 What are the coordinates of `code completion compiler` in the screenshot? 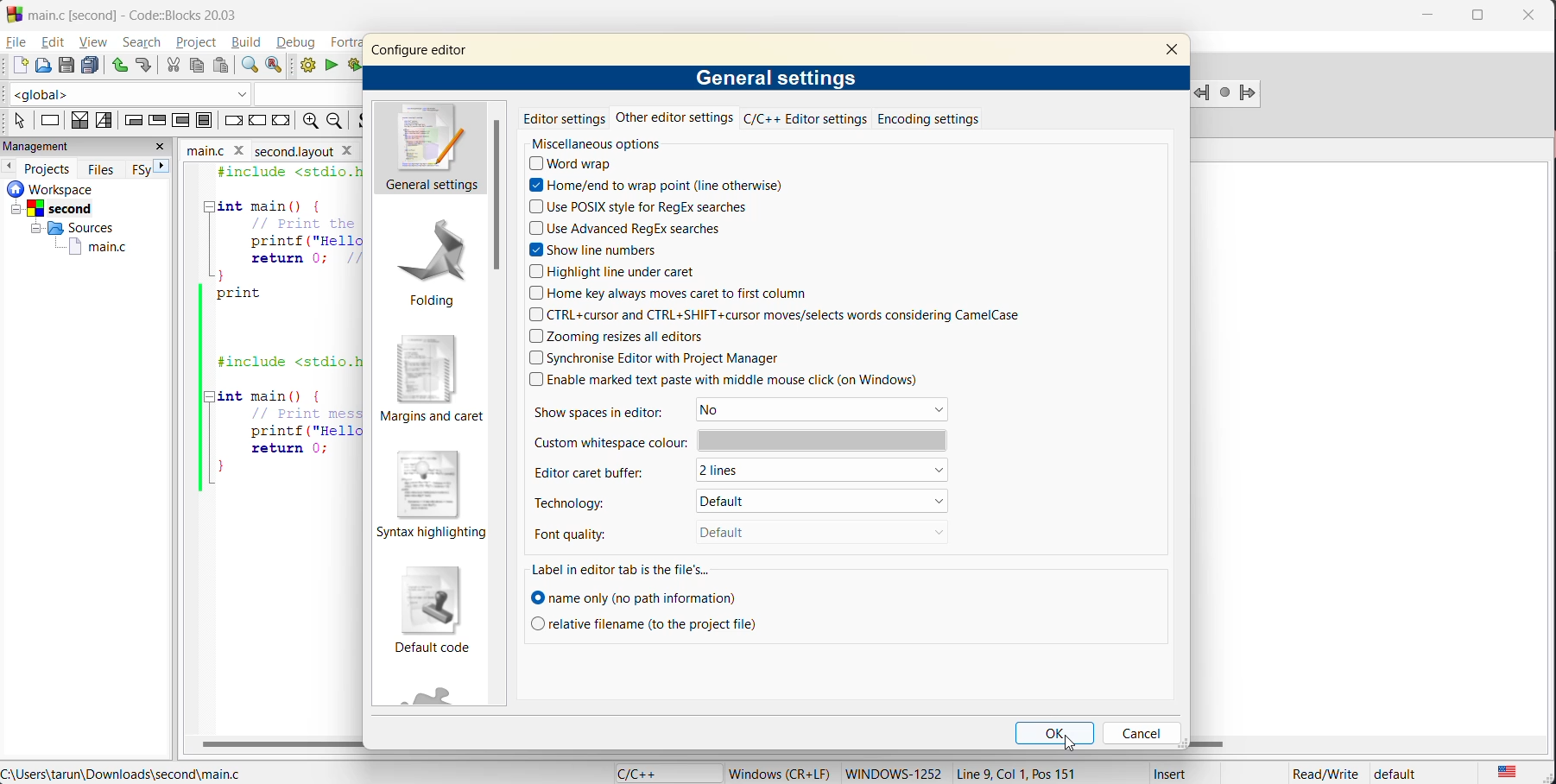 It's located at (173, 92).